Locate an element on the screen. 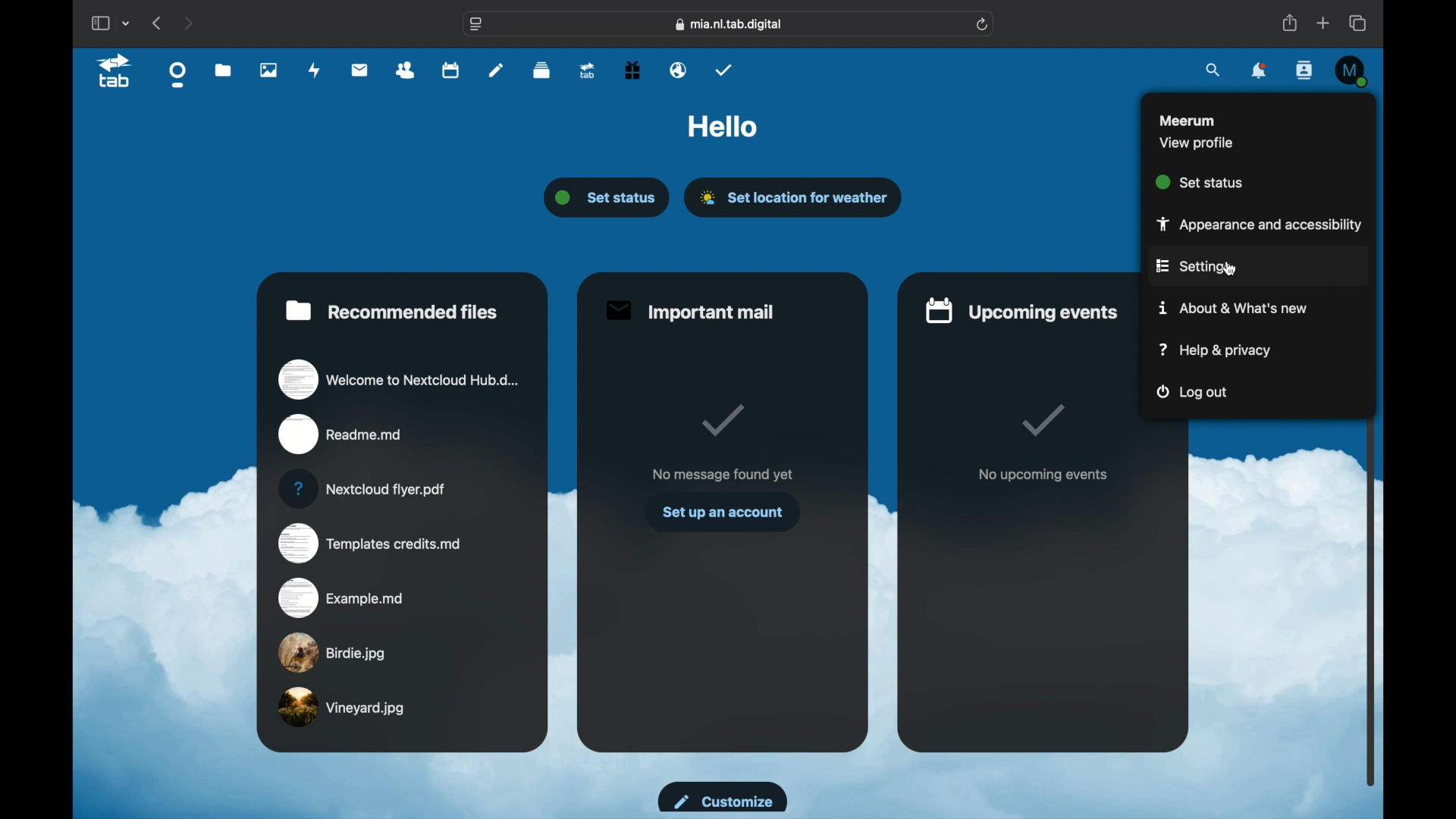 Image resolution: width=1456 pixels, height=819 pixels. mail is located at coordinates (359, 70).